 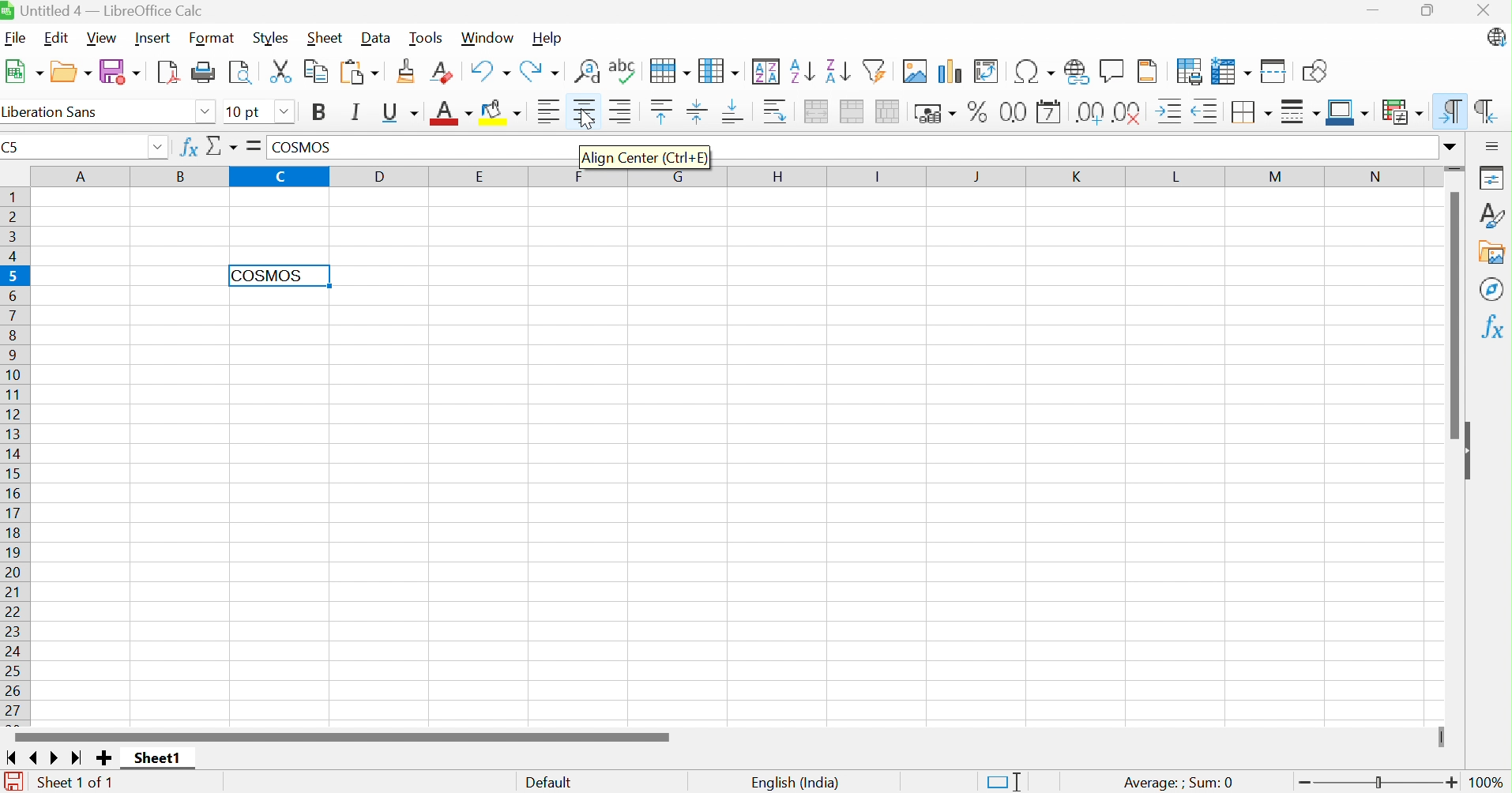 What do you see at coordinates (13, 456) in the screenshot?
I see `Row Number` at bounding box center [13, 456].